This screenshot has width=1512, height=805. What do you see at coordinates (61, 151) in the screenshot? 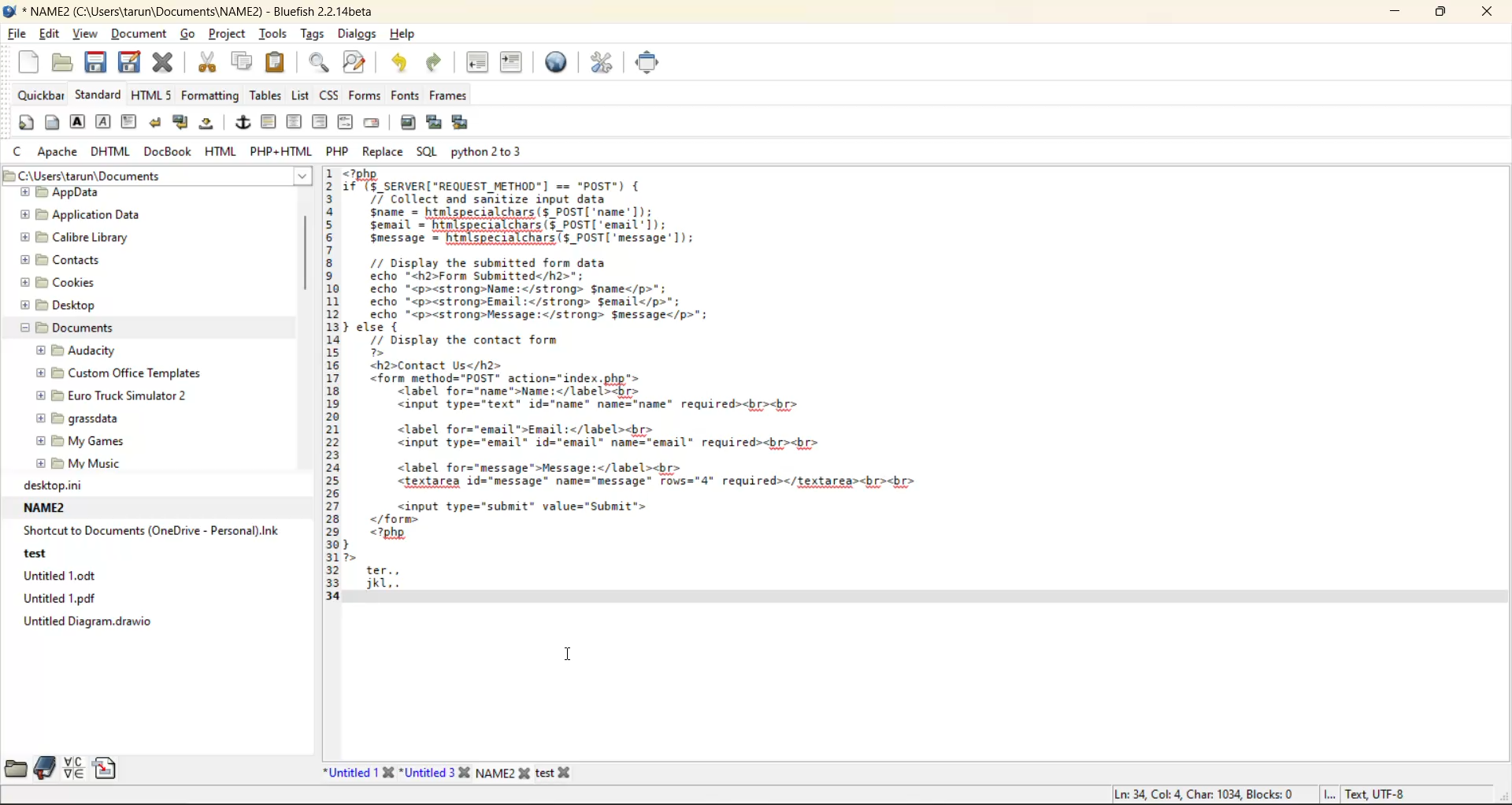
I see `apache` at bounding box center [61, 151].